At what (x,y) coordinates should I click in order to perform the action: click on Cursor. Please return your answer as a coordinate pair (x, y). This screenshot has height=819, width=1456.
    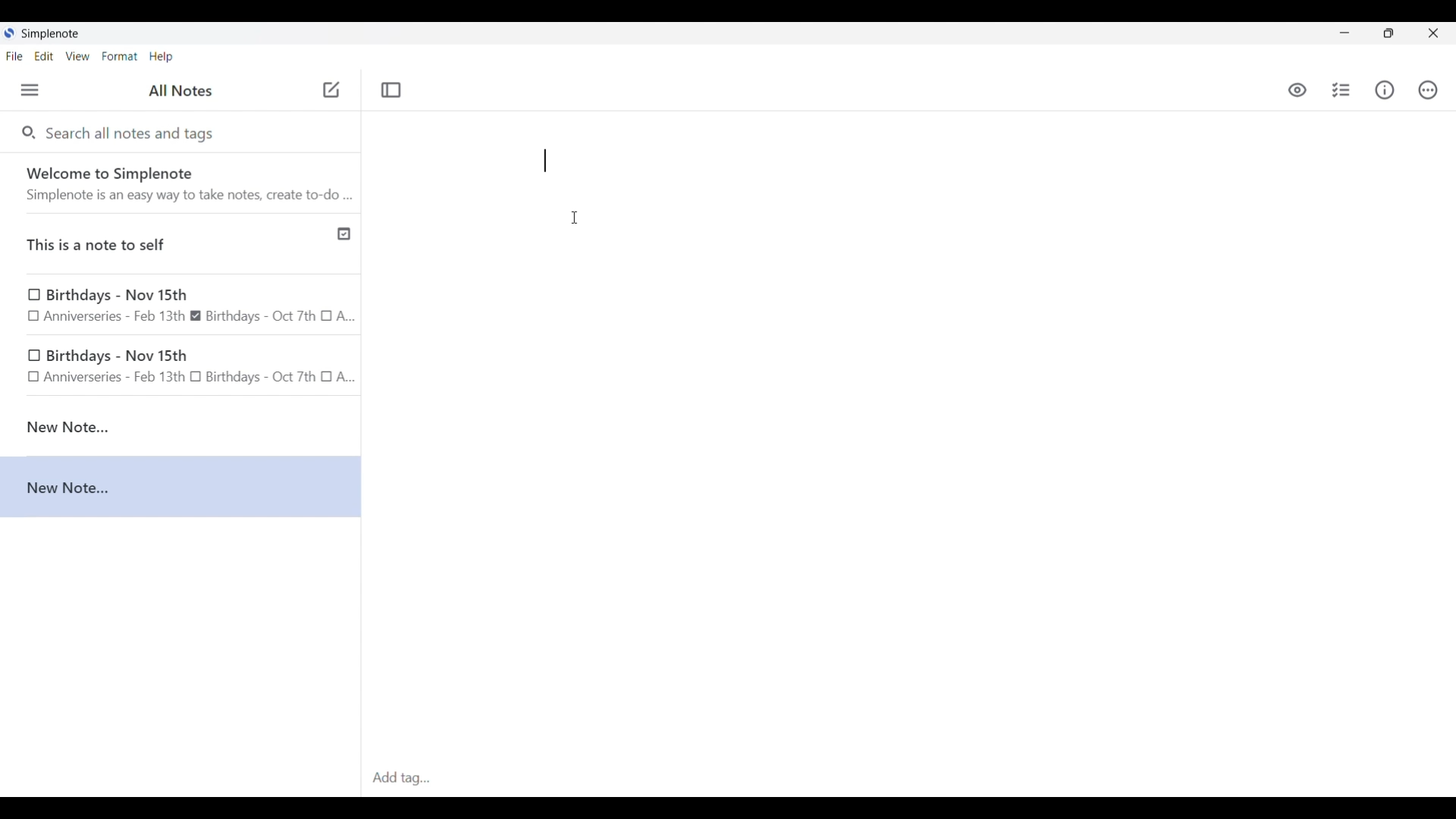
    Looking at the image, I should click on (574, 218).